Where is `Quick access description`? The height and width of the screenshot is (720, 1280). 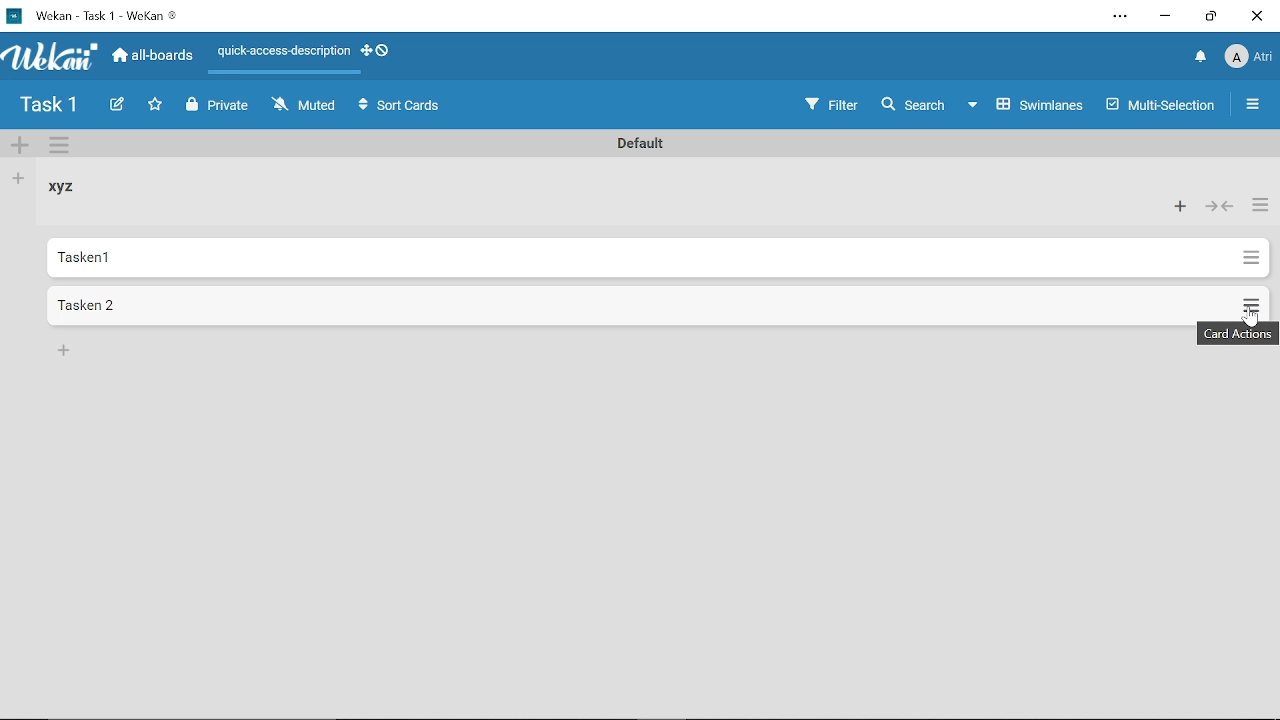
Quick access description is located at coordinates (282, 52).